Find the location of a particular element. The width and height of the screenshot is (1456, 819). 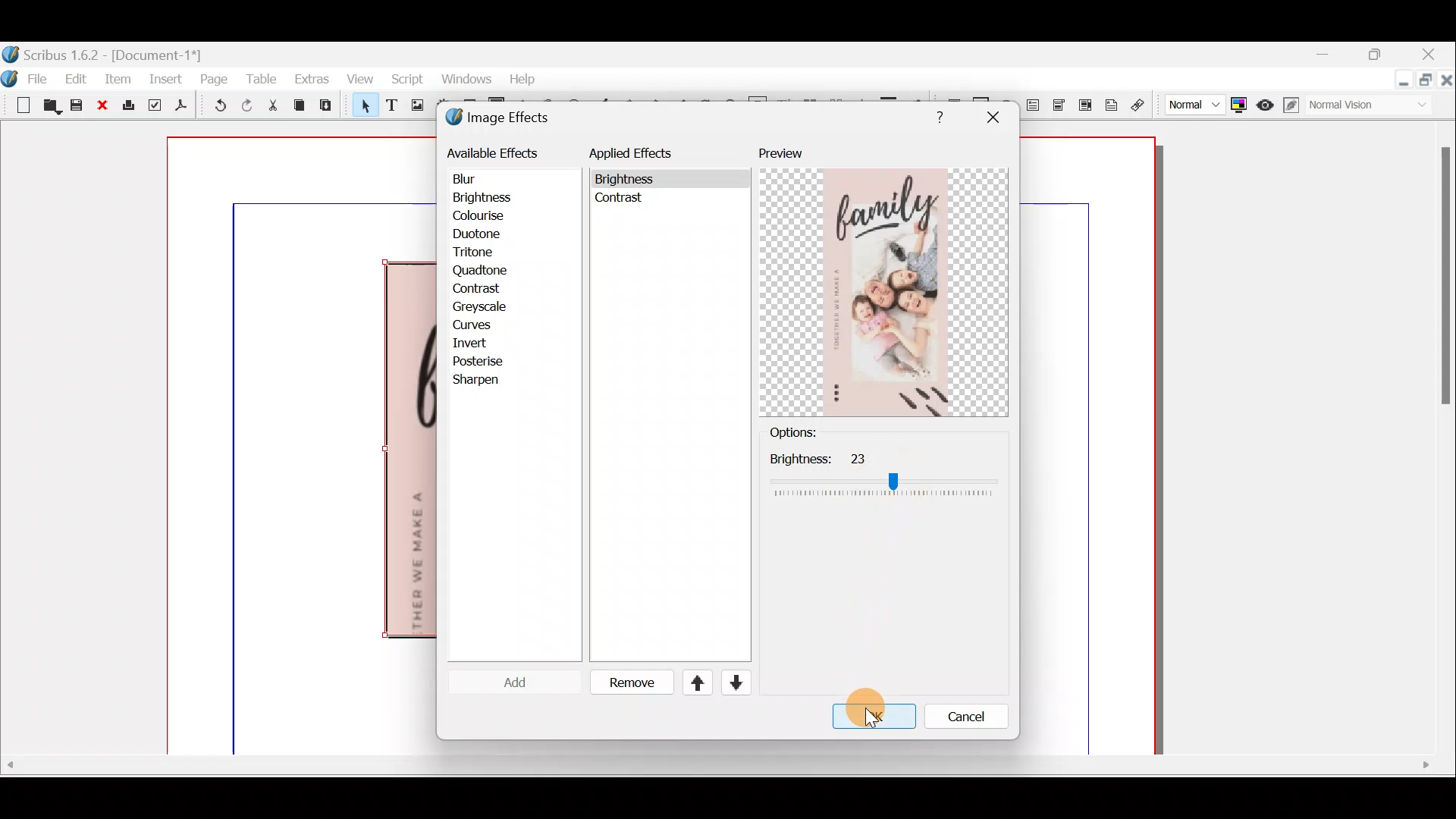

 is located at coordinates (715, 764).